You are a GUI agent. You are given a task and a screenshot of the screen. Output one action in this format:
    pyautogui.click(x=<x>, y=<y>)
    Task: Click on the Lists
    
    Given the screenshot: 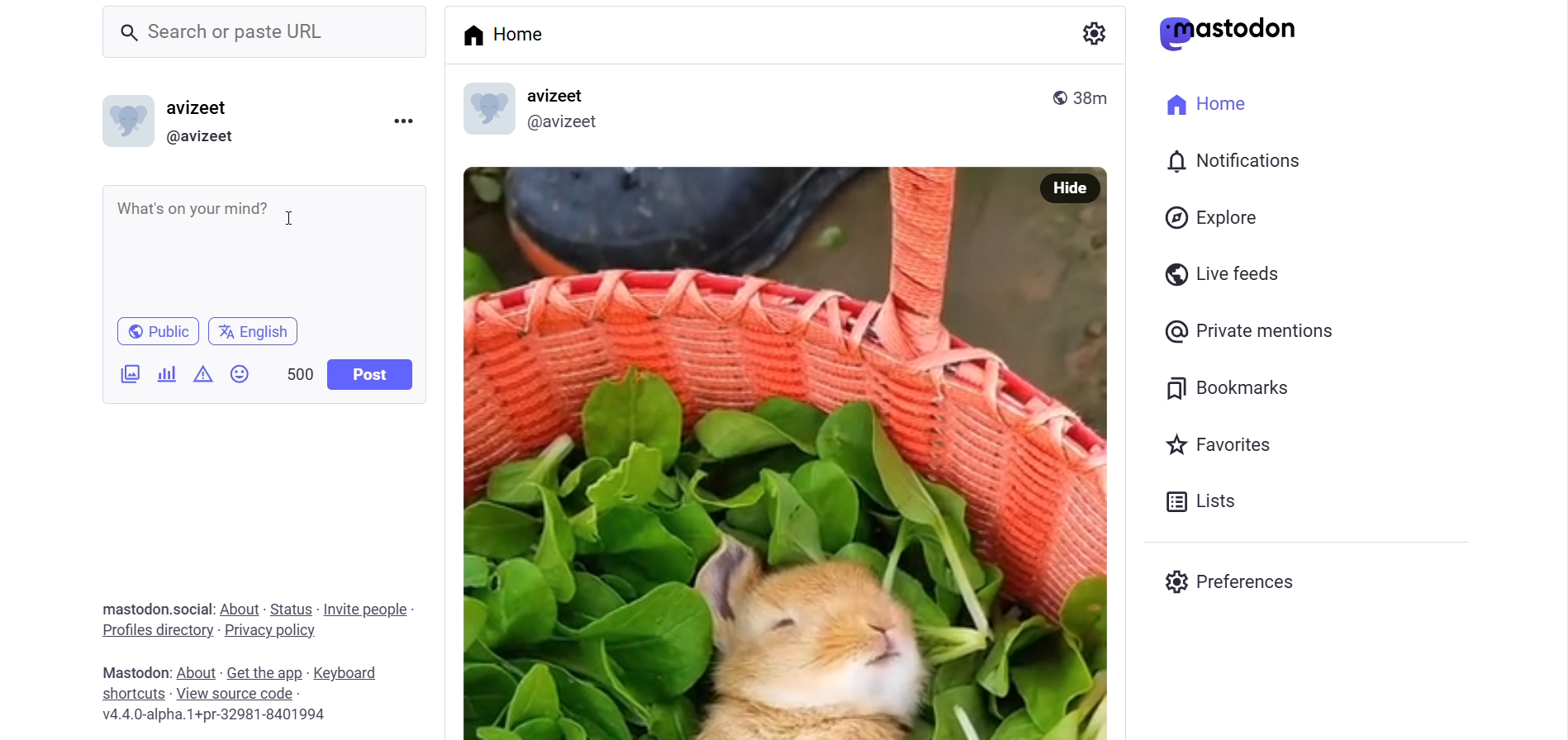 What is the action you would take?
    pyautogui.click(x=1205, y=501)
    